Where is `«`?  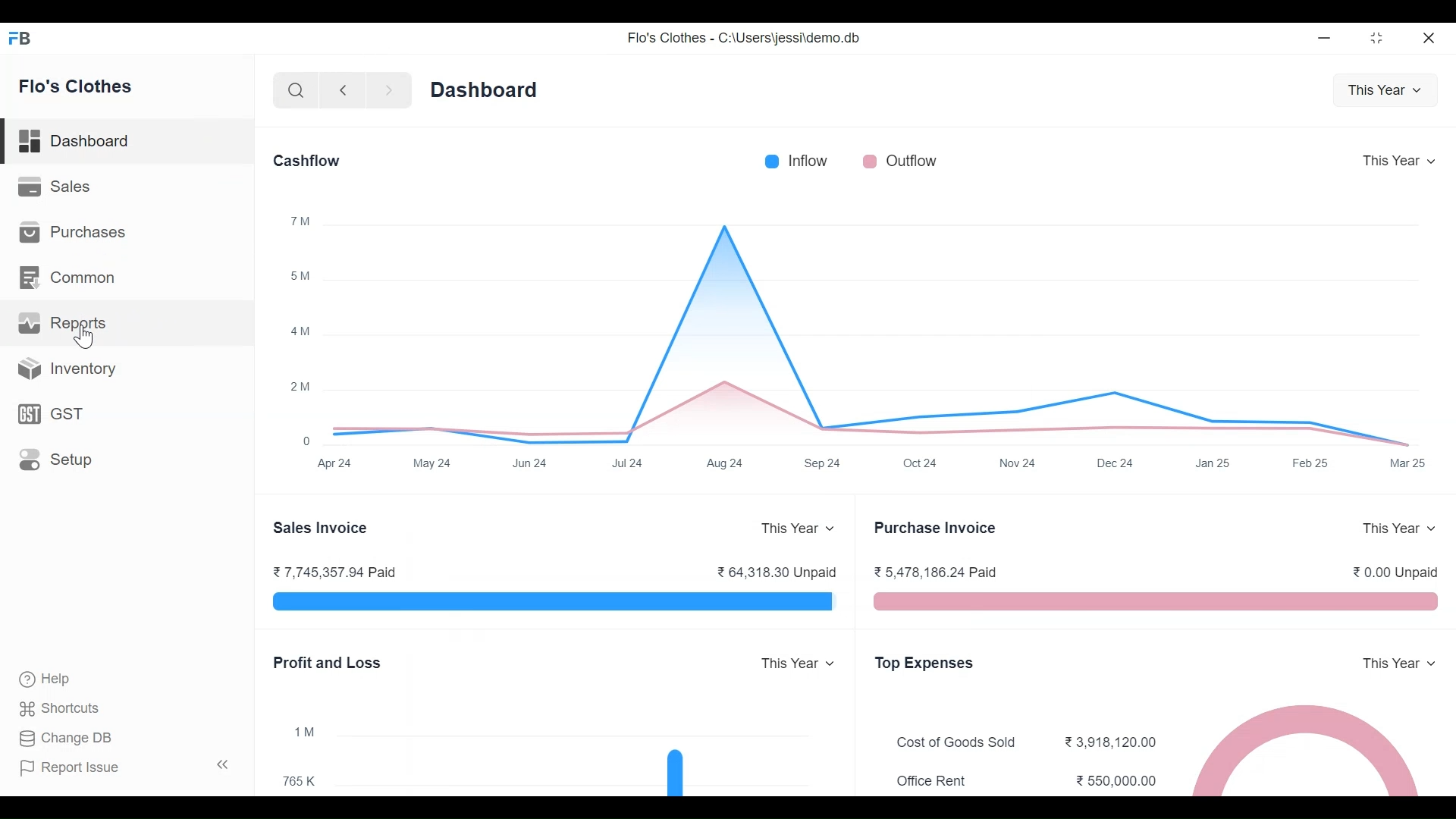
« is located at coordinates (223, 764).